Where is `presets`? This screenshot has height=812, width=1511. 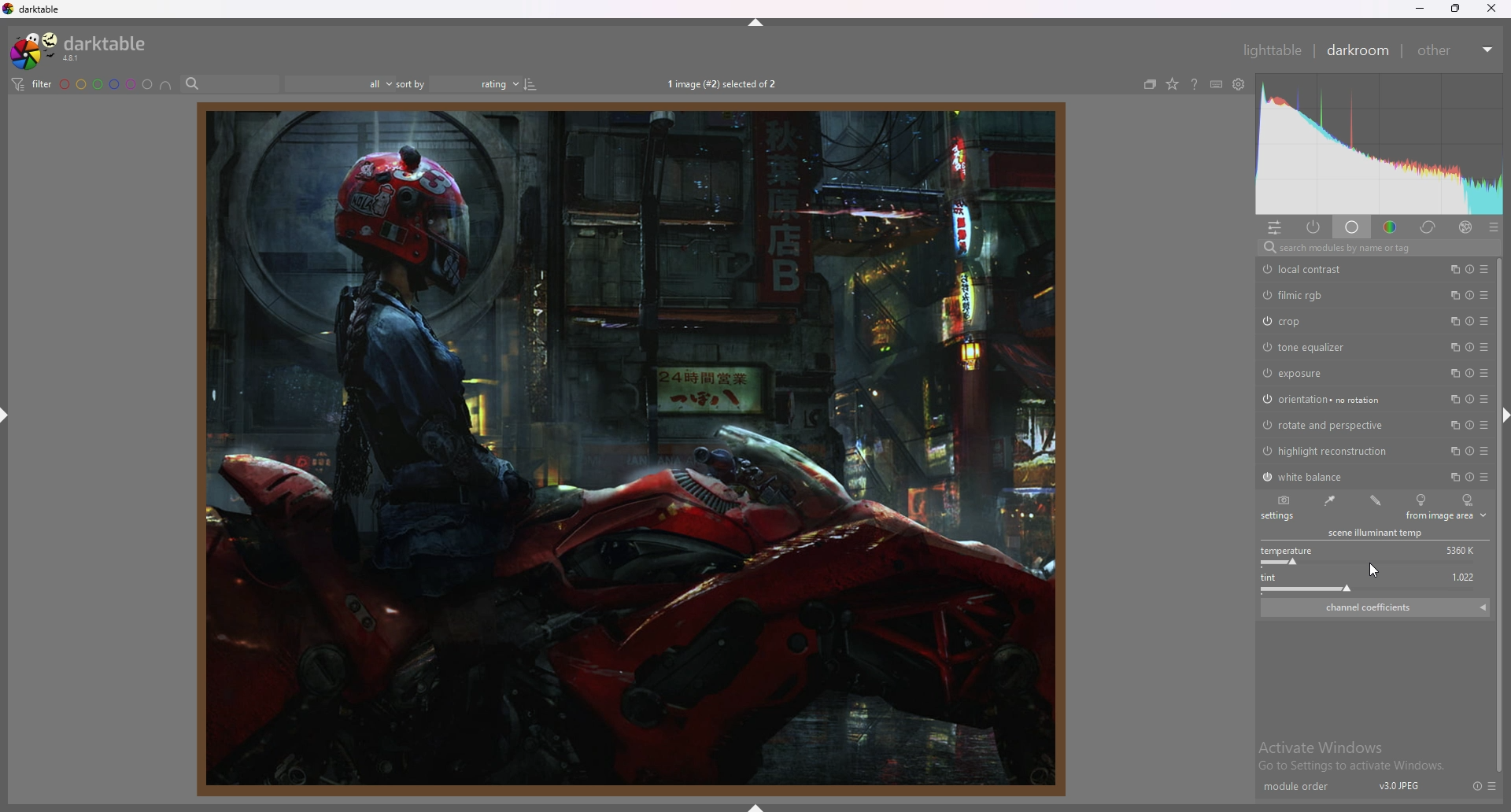
presets is located at coordinates (1483, 425).